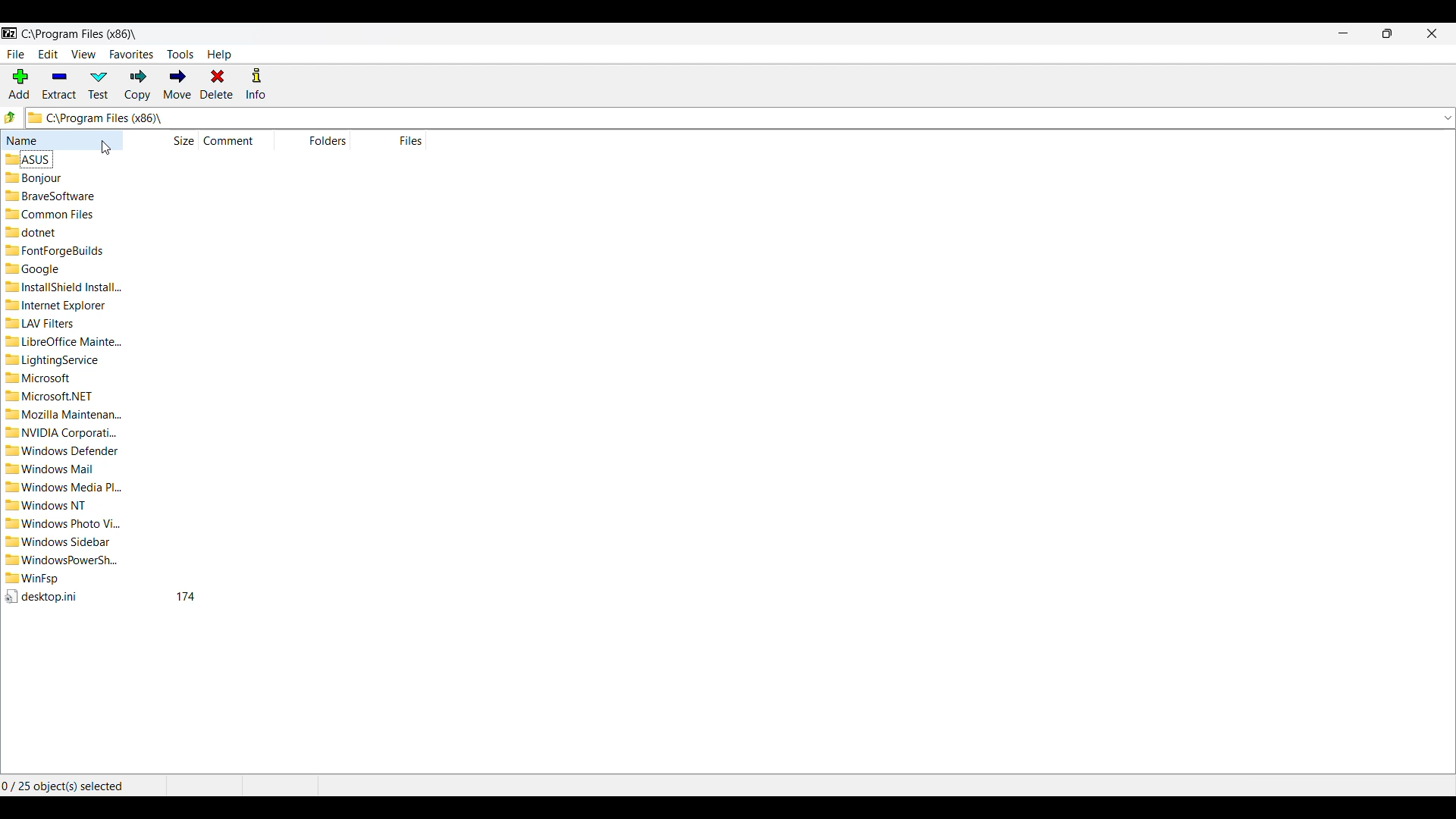 The width and height of the screenshot is (1456, 819). Describe the element at coordinates (20, 83) in the screenshot. I see `Add` at that location.